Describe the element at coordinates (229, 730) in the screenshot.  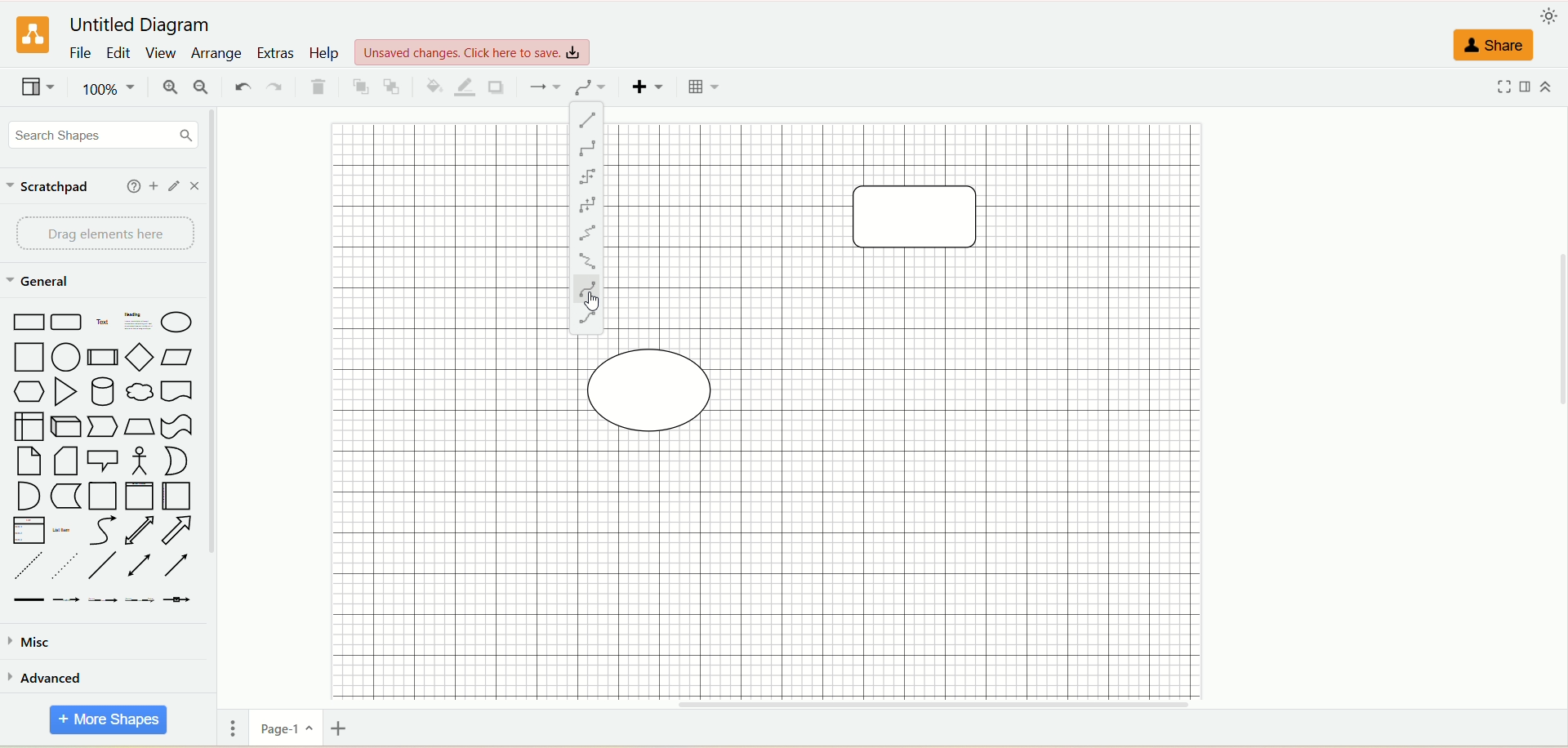
I see `pages` at that location.